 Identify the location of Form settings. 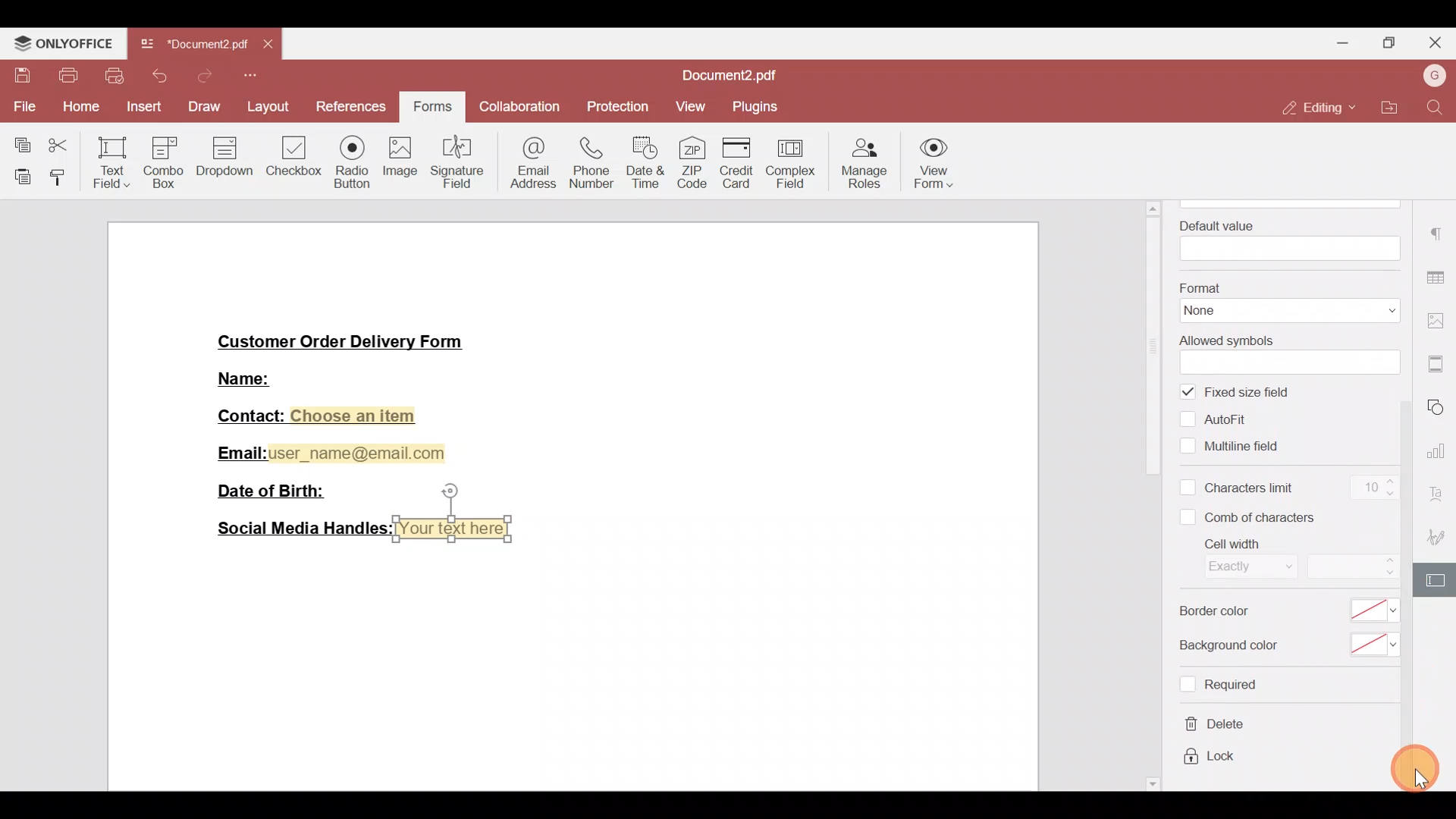
(1438, 579).